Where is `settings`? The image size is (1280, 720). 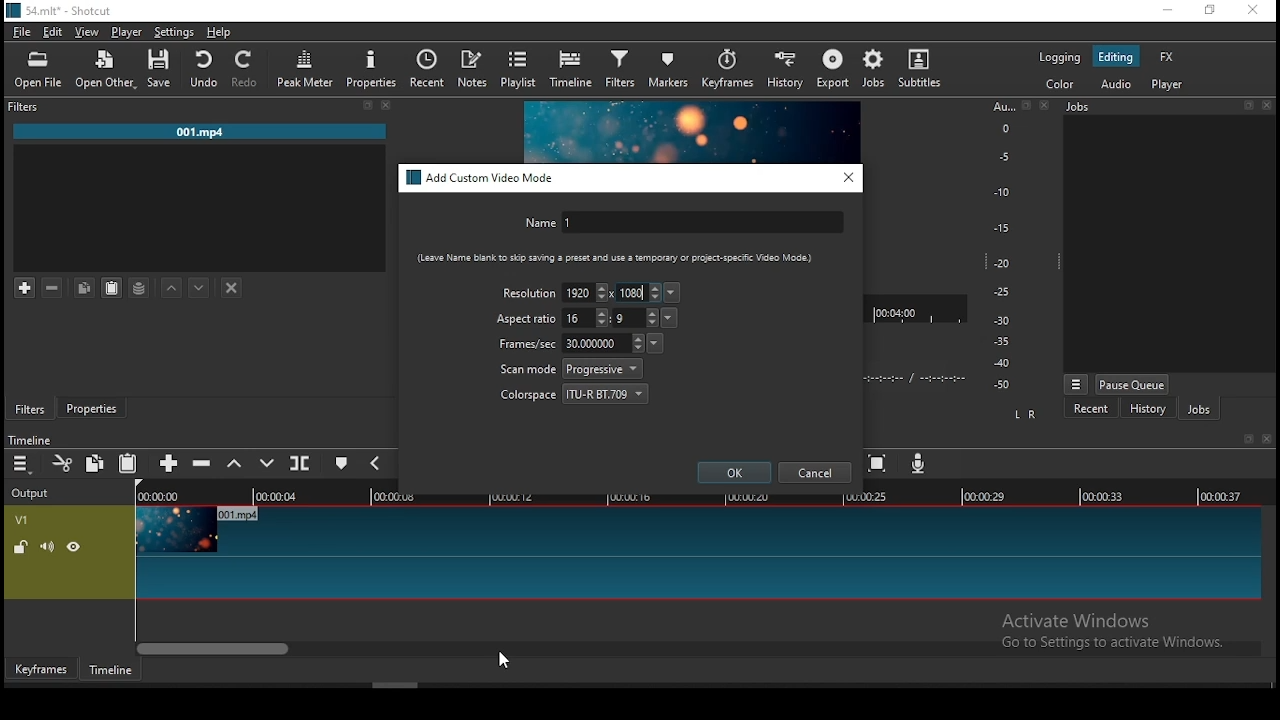
settings is located at coordinates (171, 32).